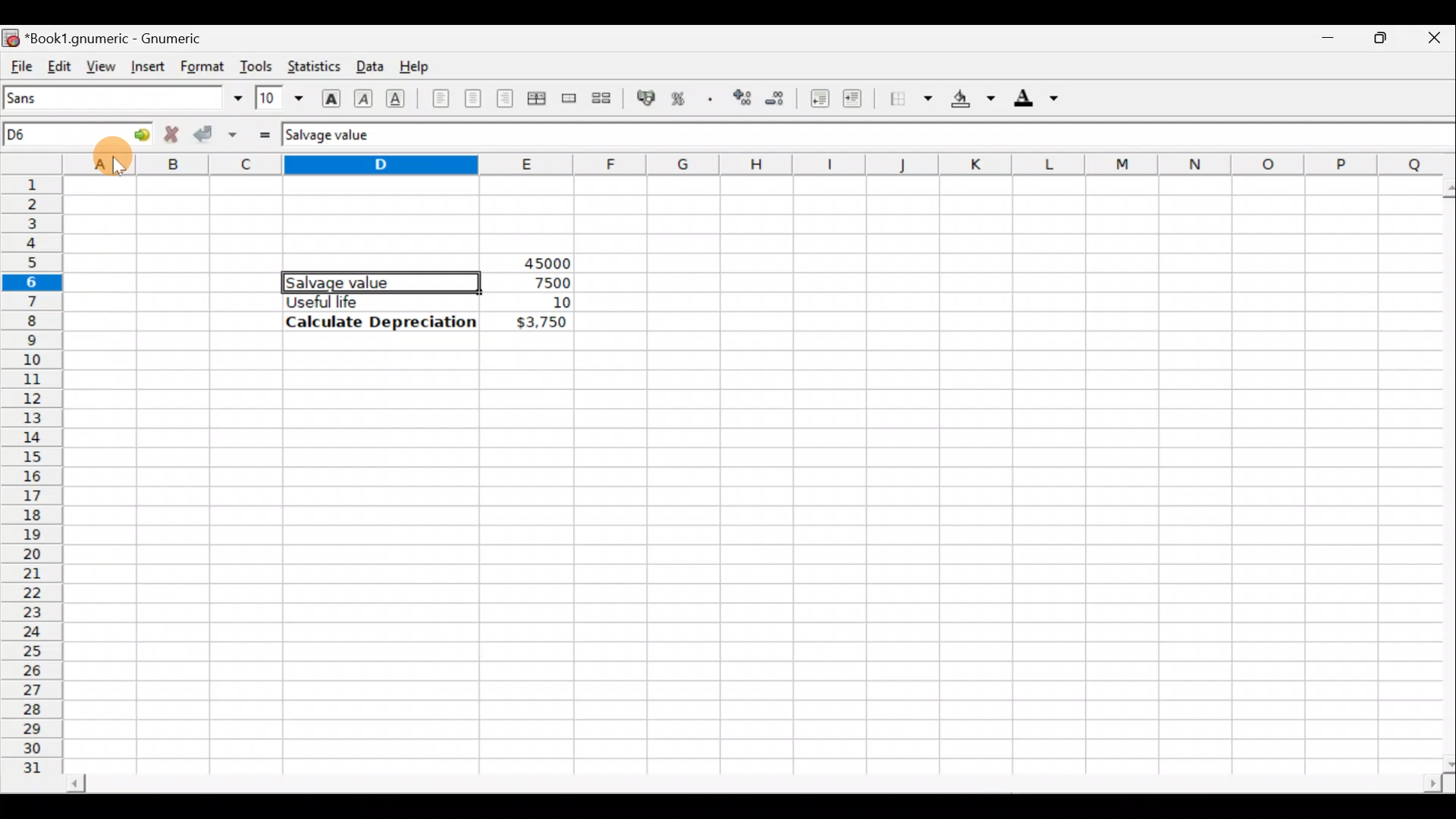 Image resolution: width=1456 pixels, height=819 pixels. I want to click on Font size 10, so click(275, 99).